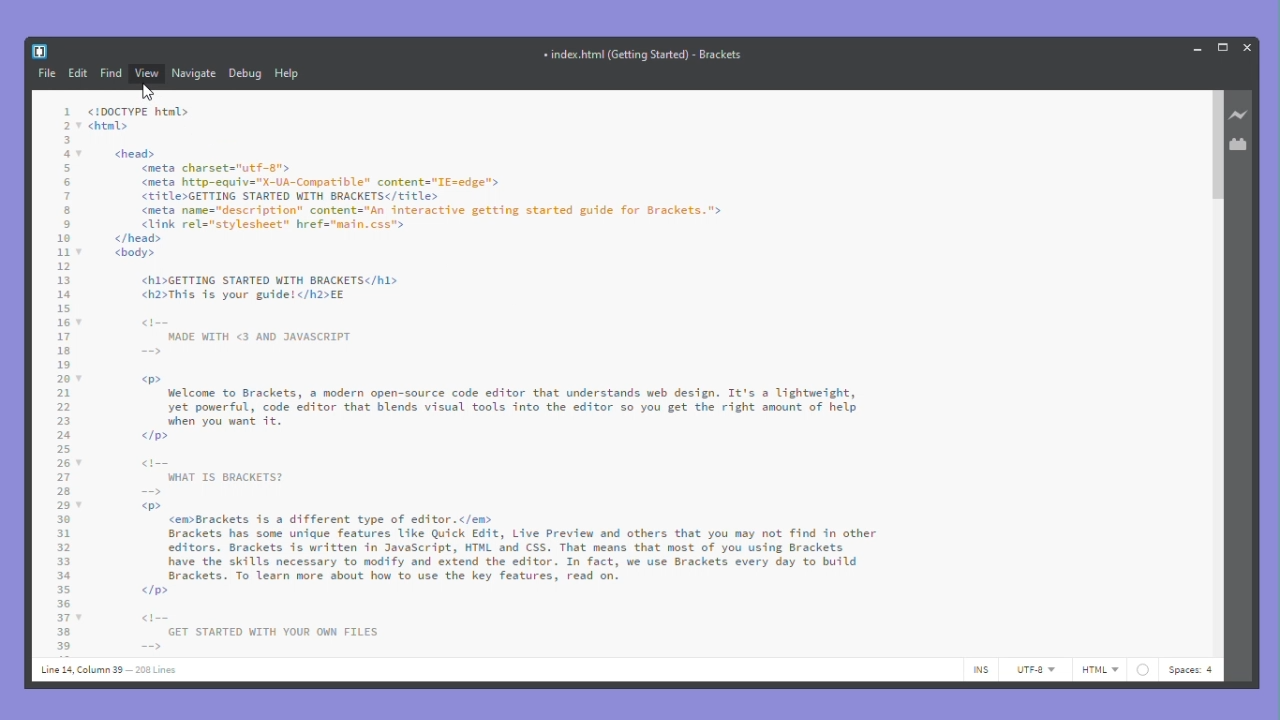  What do you see at coordinates (63, 519) in the screenshot?
I see `30` at bounding box center [63, 519].